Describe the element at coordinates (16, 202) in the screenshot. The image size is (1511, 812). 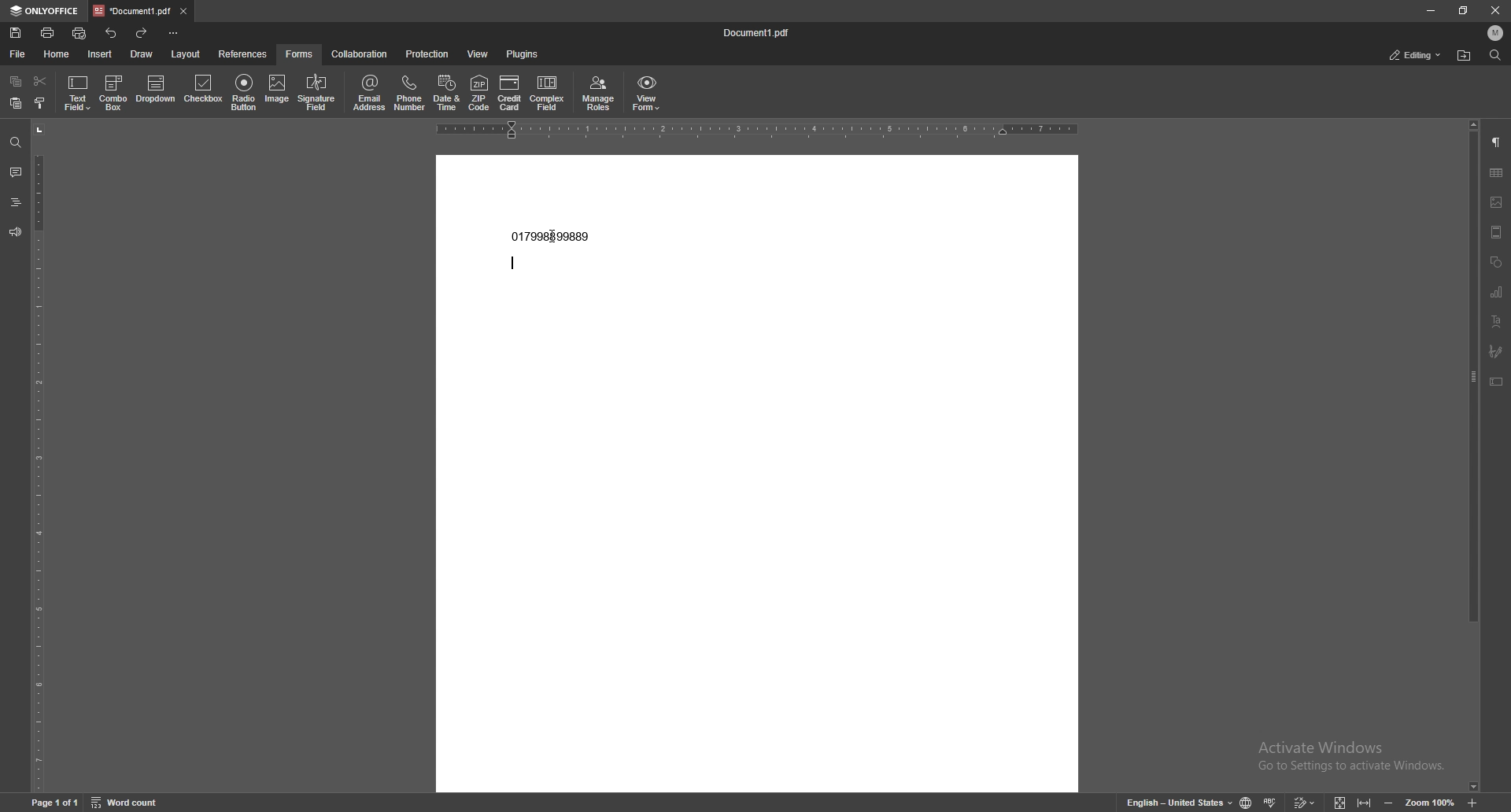
I see `heading` at that location.